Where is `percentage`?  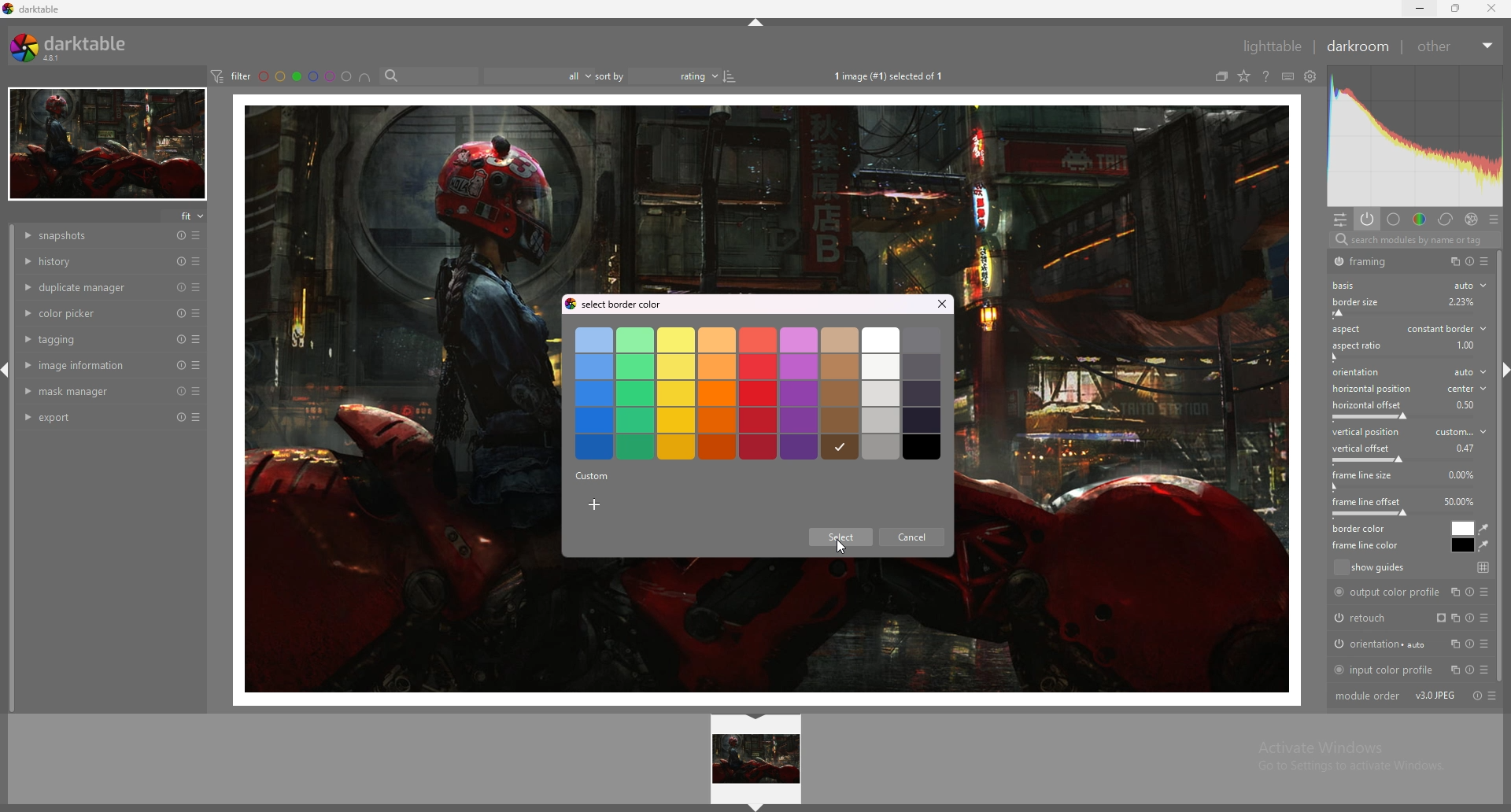 percentage is located at coordinates (1465, 447).